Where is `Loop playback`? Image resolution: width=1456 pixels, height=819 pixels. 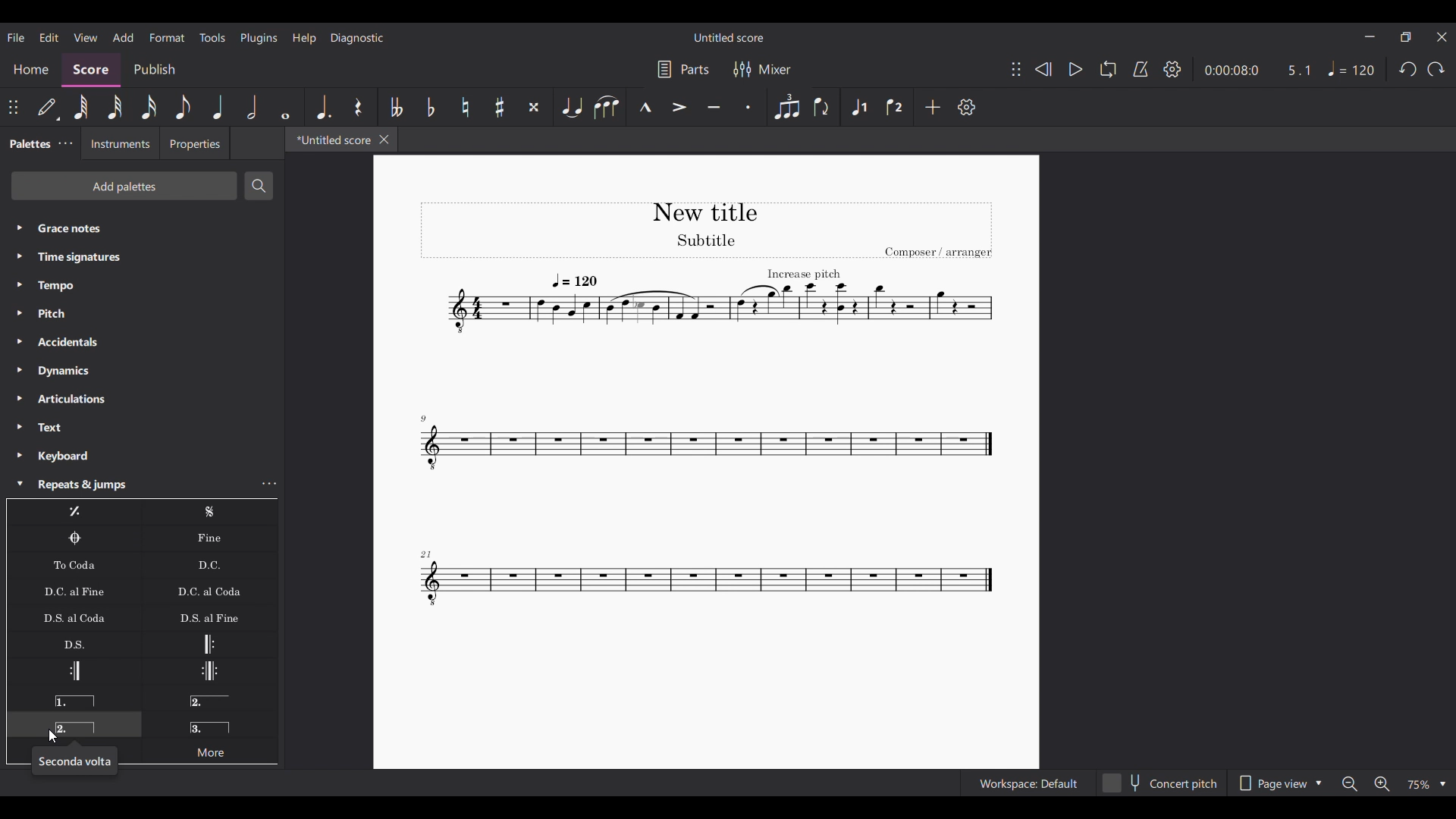
Loop playback is located at coordinates (1109, 69).